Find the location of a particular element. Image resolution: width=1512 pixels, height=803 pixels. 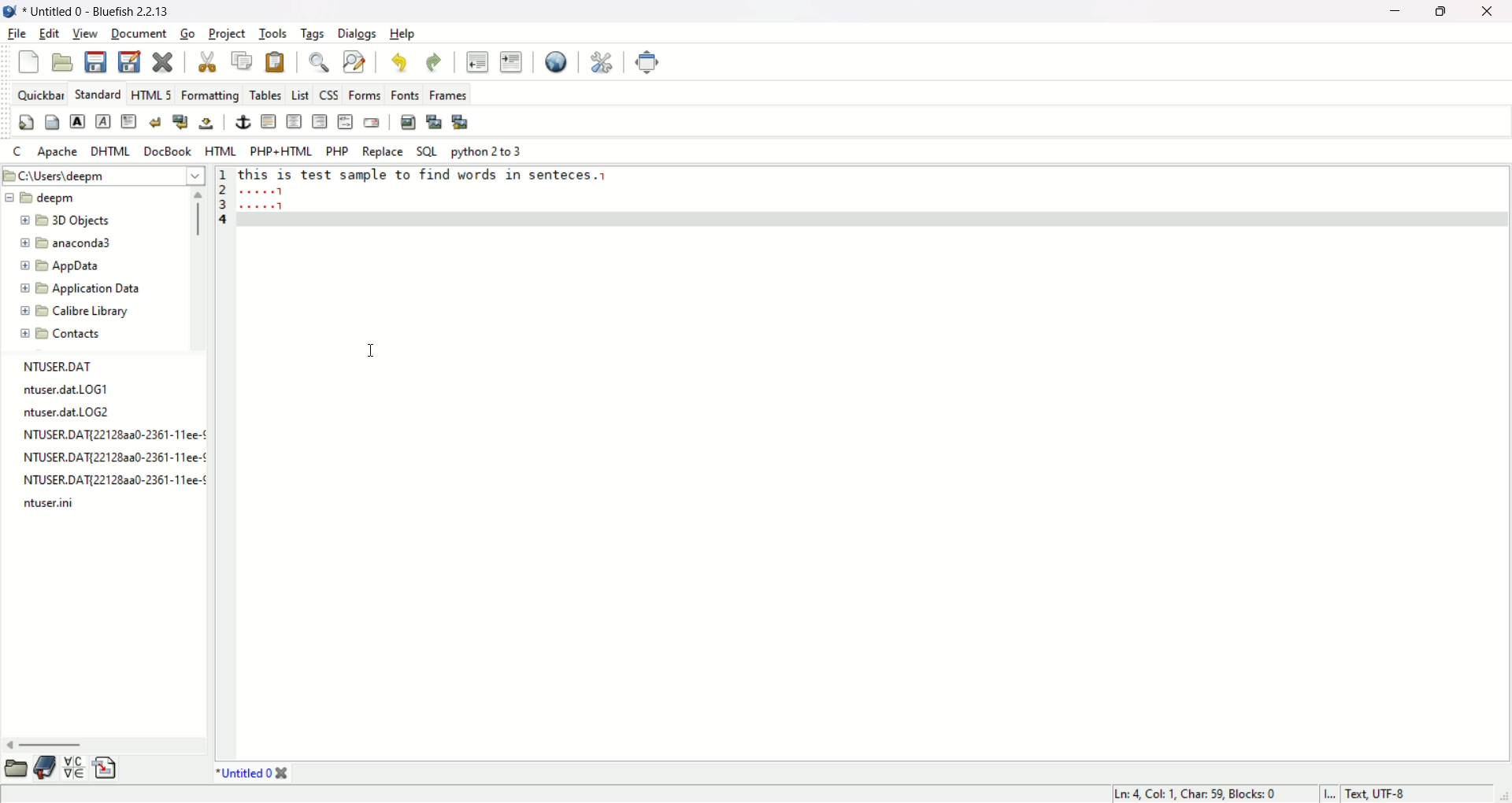

HTML is located at coordinates (220, 150).